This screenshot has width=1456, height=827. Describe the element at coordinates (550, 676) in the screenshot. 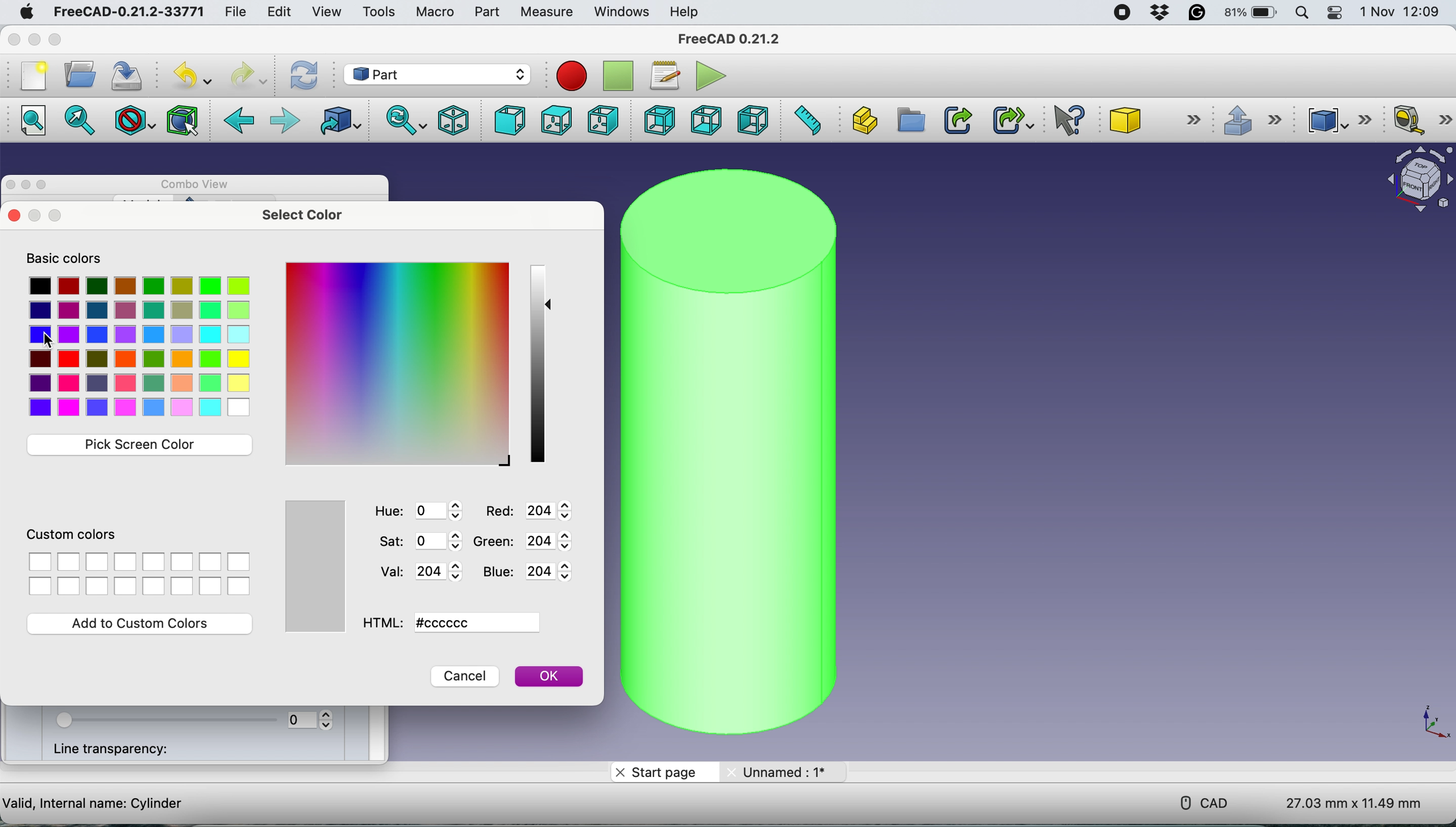

I see `ok` at that location.